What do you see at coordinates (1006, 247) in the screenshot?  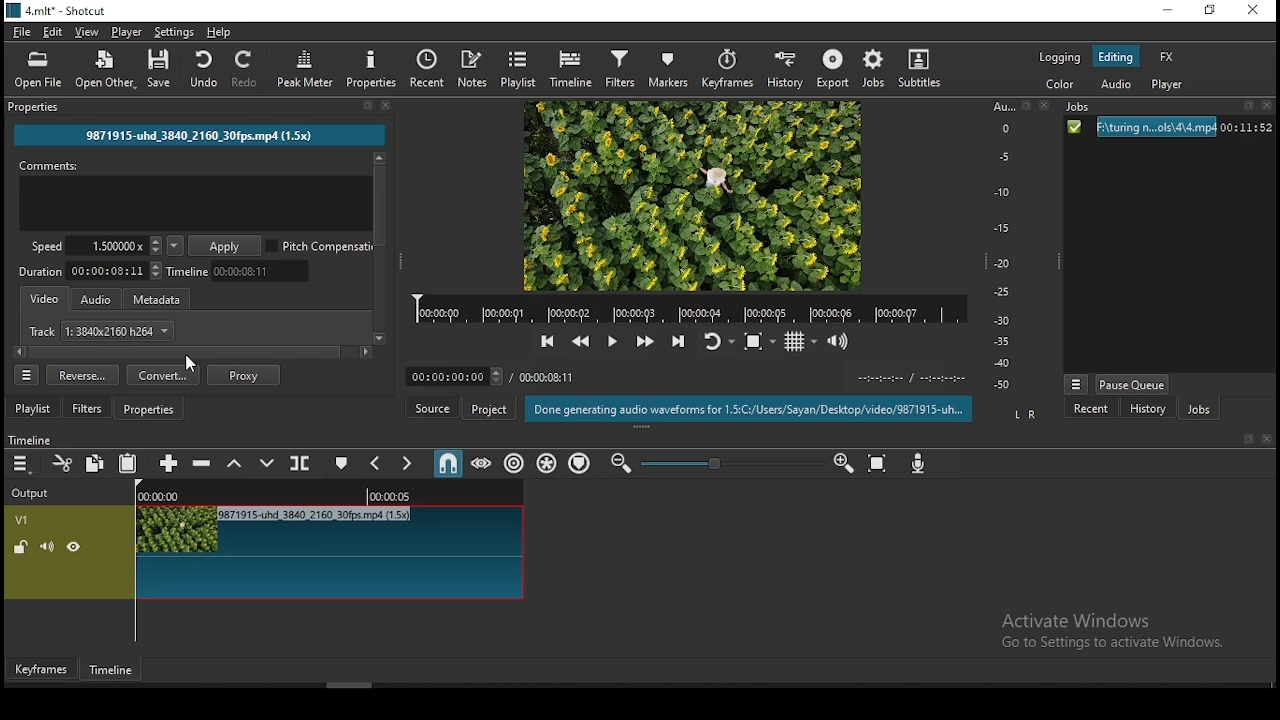 I see `scale` at bounding box center [1006, 247].